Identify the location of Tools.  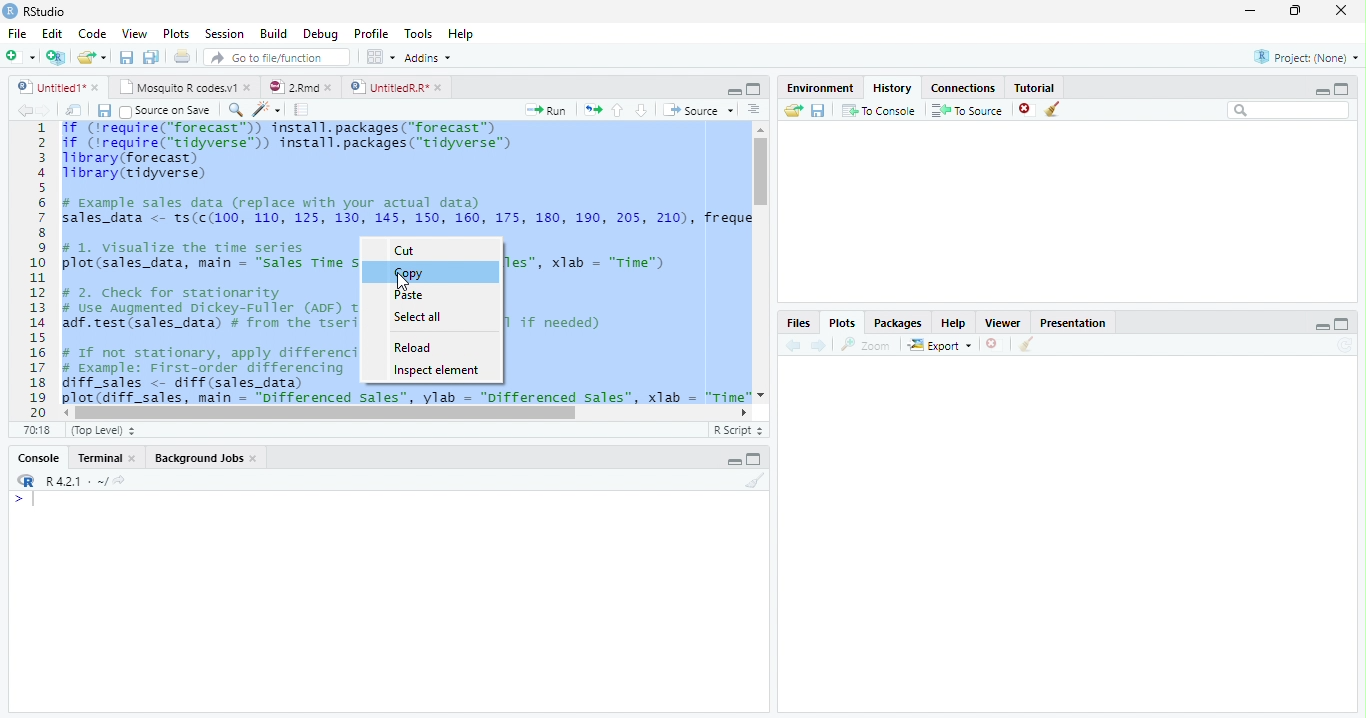
(417, 33).